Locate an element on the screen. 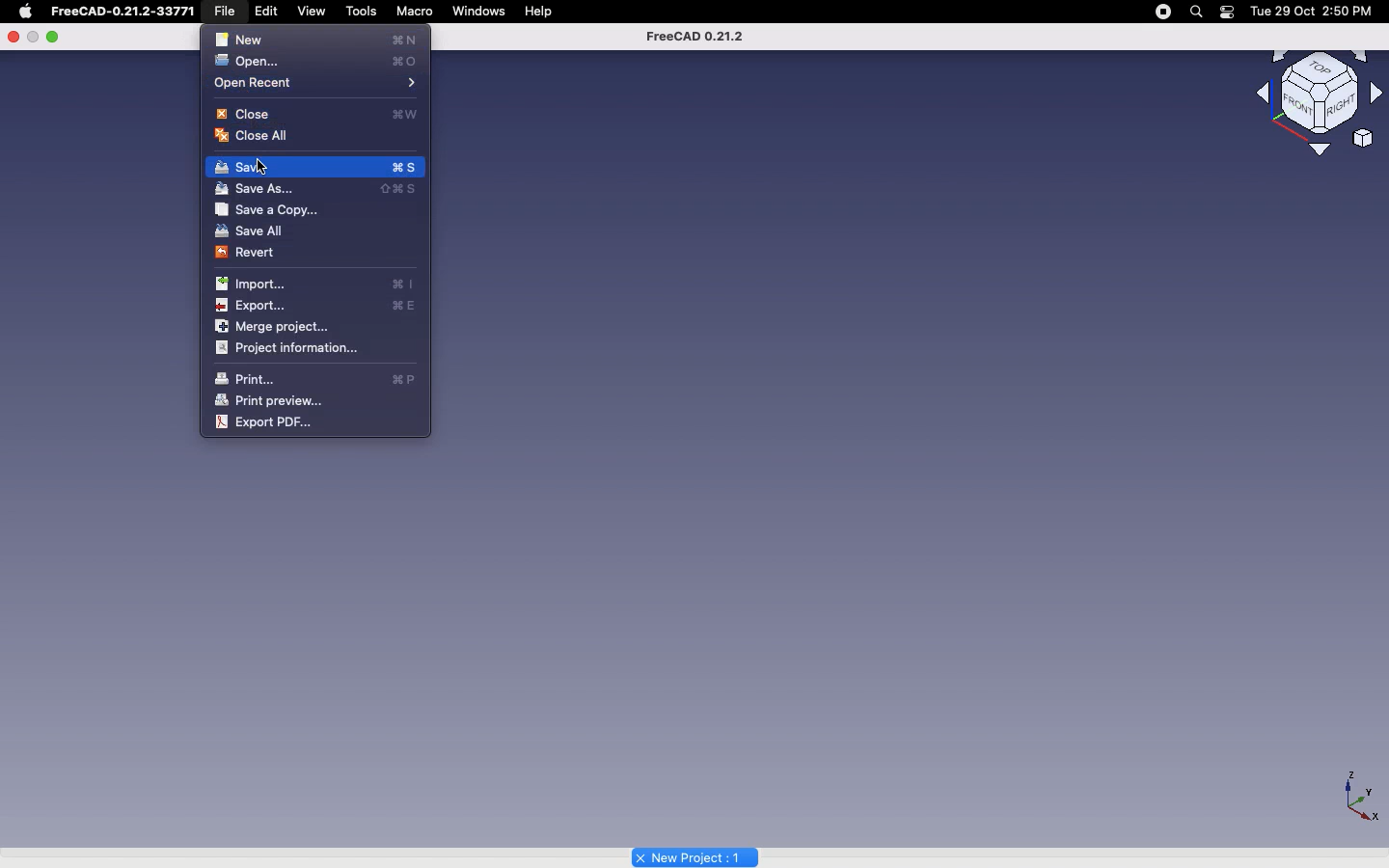 The height and width of the screenshot is (868, 1389). Project information is located at coordinates (290, 347).